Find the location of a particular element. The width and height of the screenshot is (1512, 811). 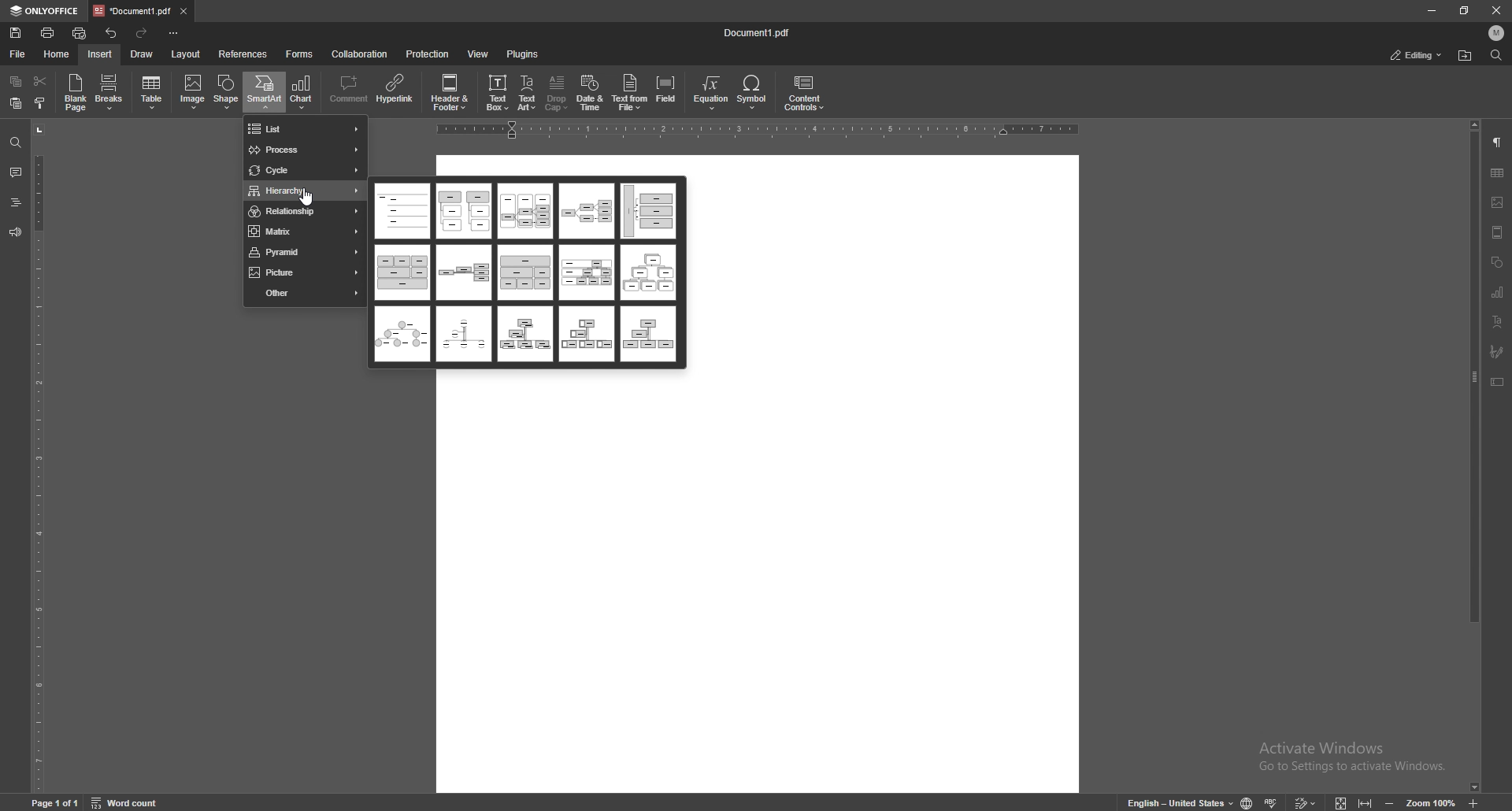

text box is located at coordinates (1497, 382).